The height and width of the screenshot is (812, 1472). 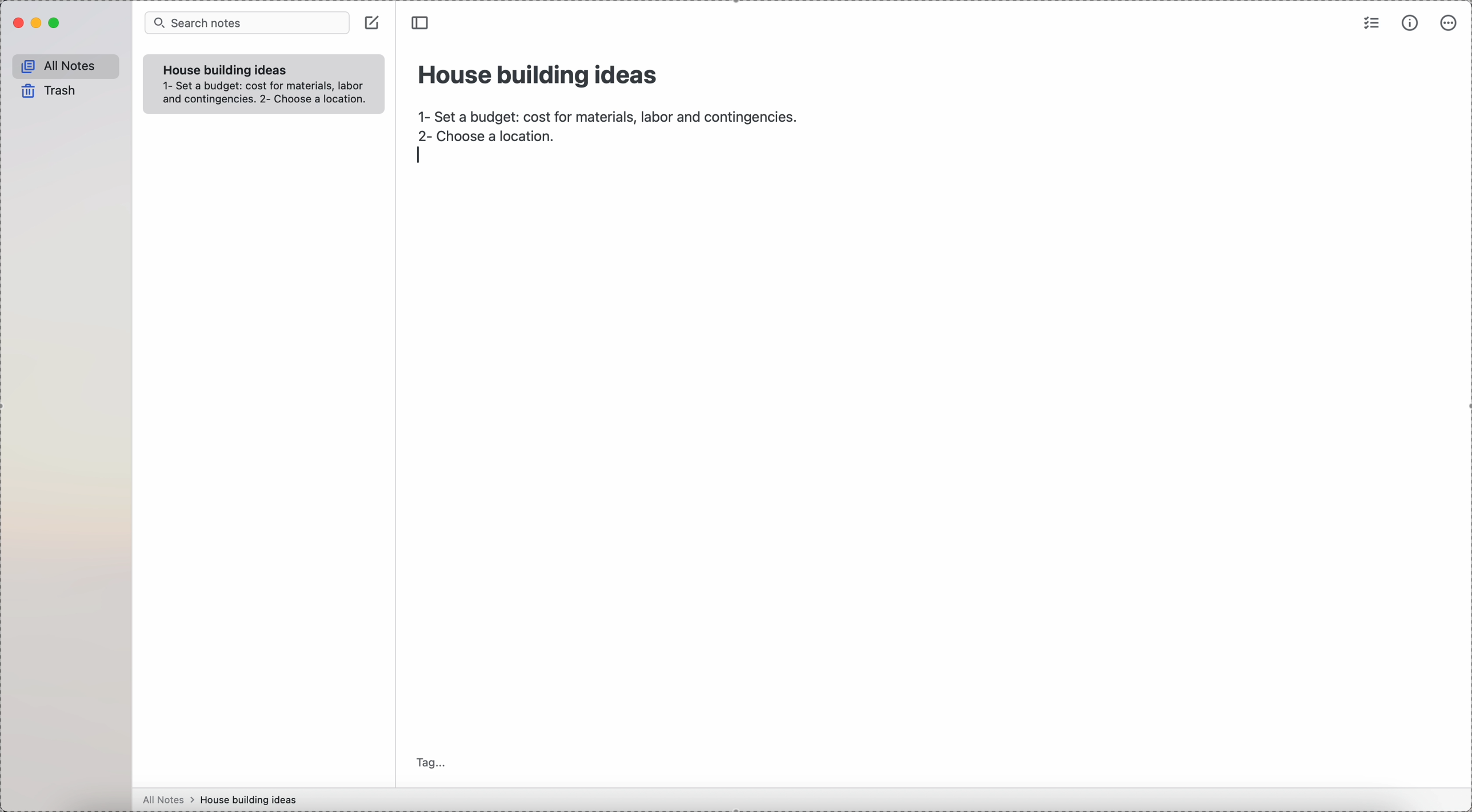 What do you see at coordinates (1410, 25) in the screenshot?
I see `metrics` at bounding box center [1410, 25].